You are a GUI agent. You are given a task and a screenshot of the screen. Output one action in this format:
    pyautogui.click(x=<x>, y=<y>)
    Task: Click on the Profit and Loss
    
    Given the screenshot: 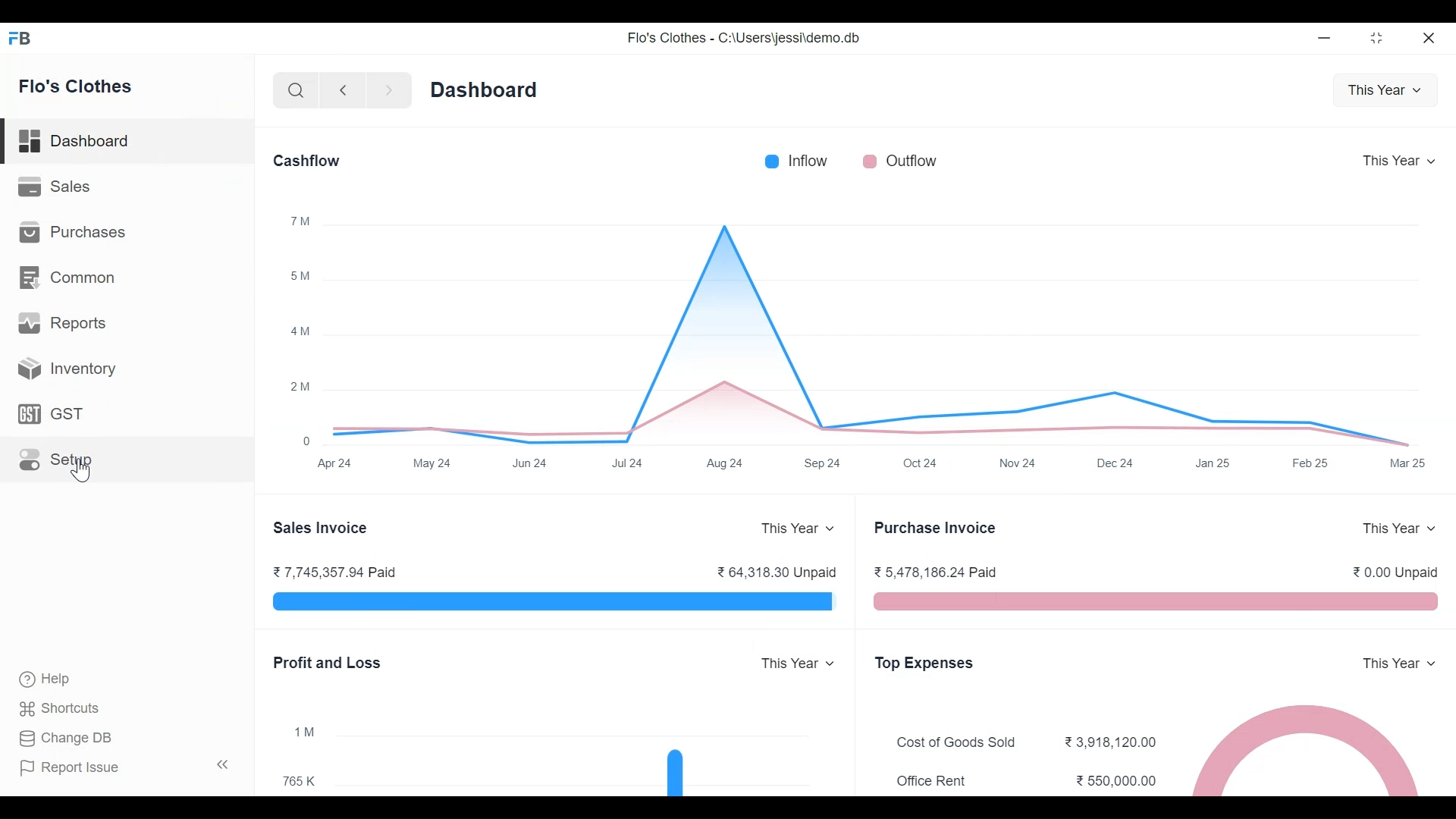 What is the action you would take?
    pyautogui.click(x=325, y=660)
    